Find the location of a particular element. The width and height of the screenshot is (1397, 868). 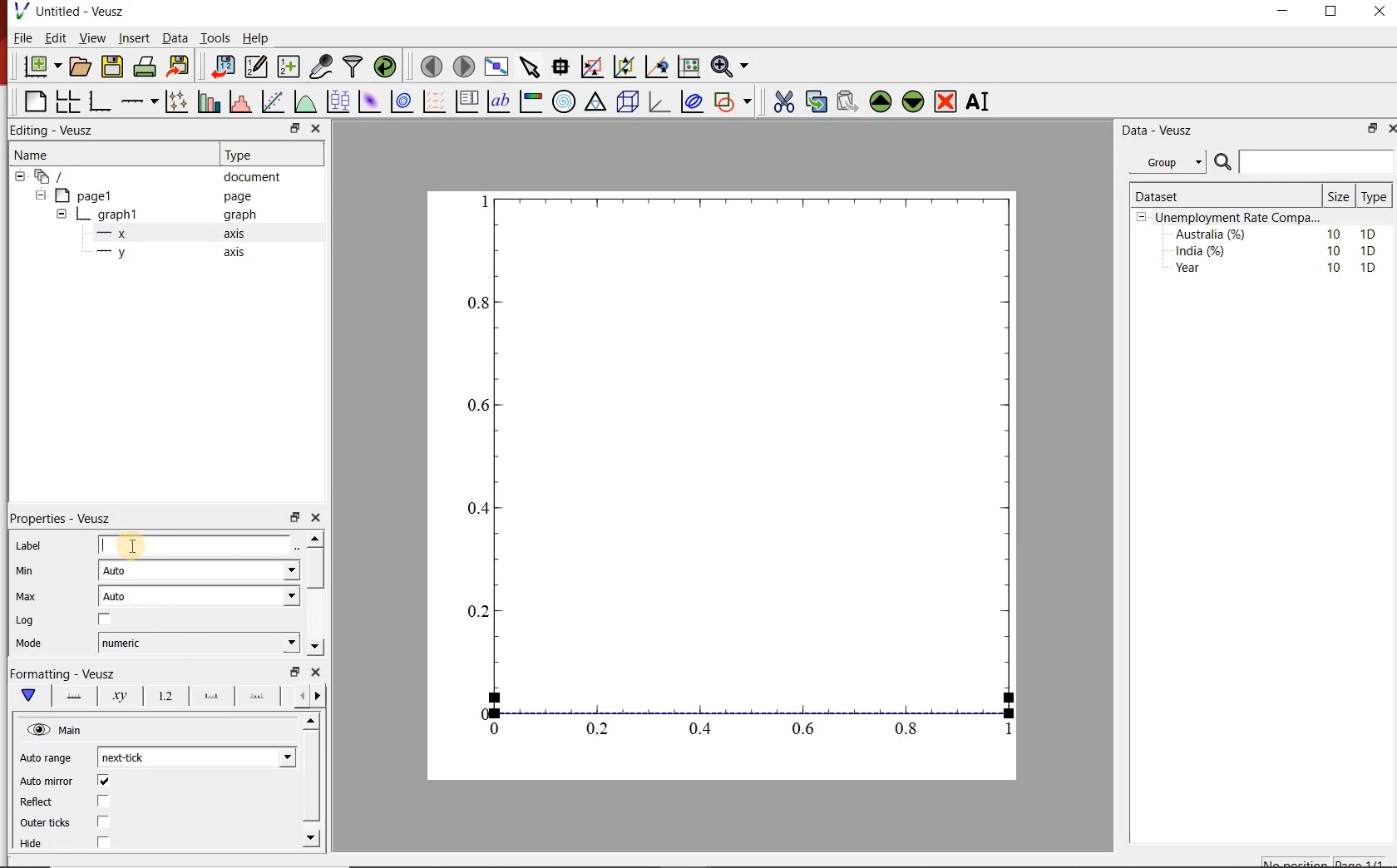

collapse is located at coordinates (19, 176).